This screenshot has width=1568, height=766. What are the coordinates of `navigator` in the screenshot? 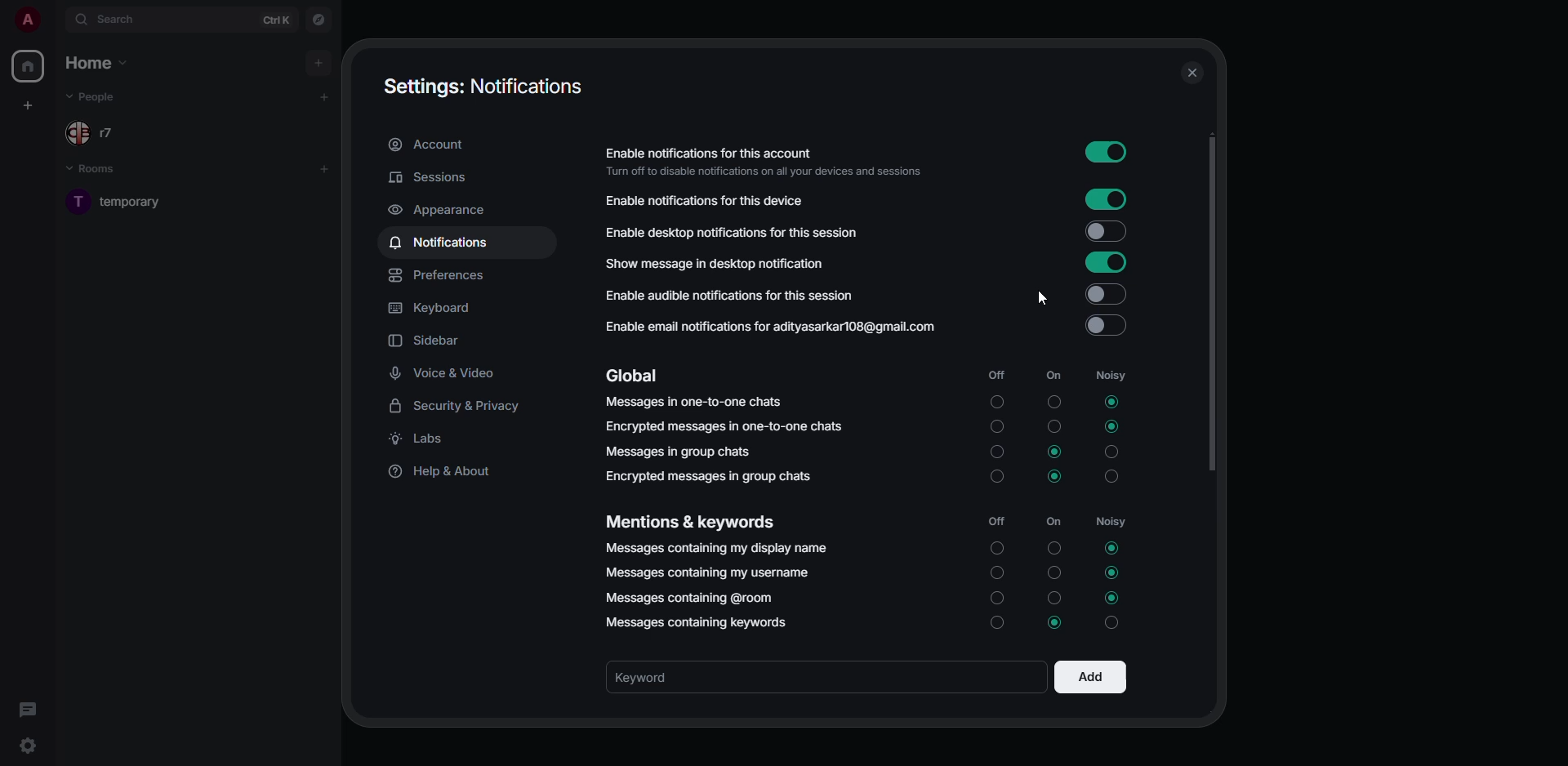 It's located at (318, 19).